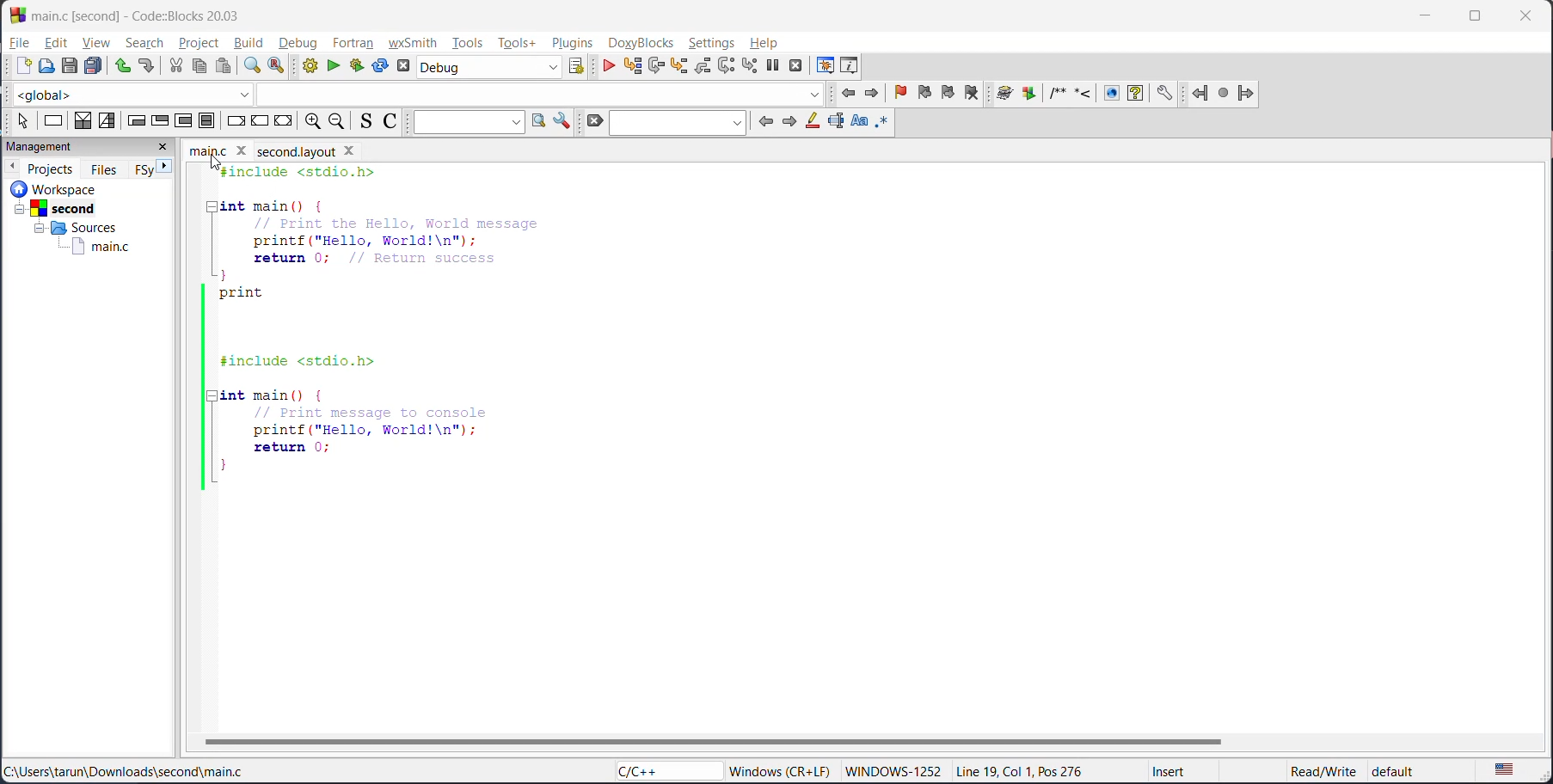  Describe the element at coordinates (520, 43) in the screenshot. I see `tools+` at that location.